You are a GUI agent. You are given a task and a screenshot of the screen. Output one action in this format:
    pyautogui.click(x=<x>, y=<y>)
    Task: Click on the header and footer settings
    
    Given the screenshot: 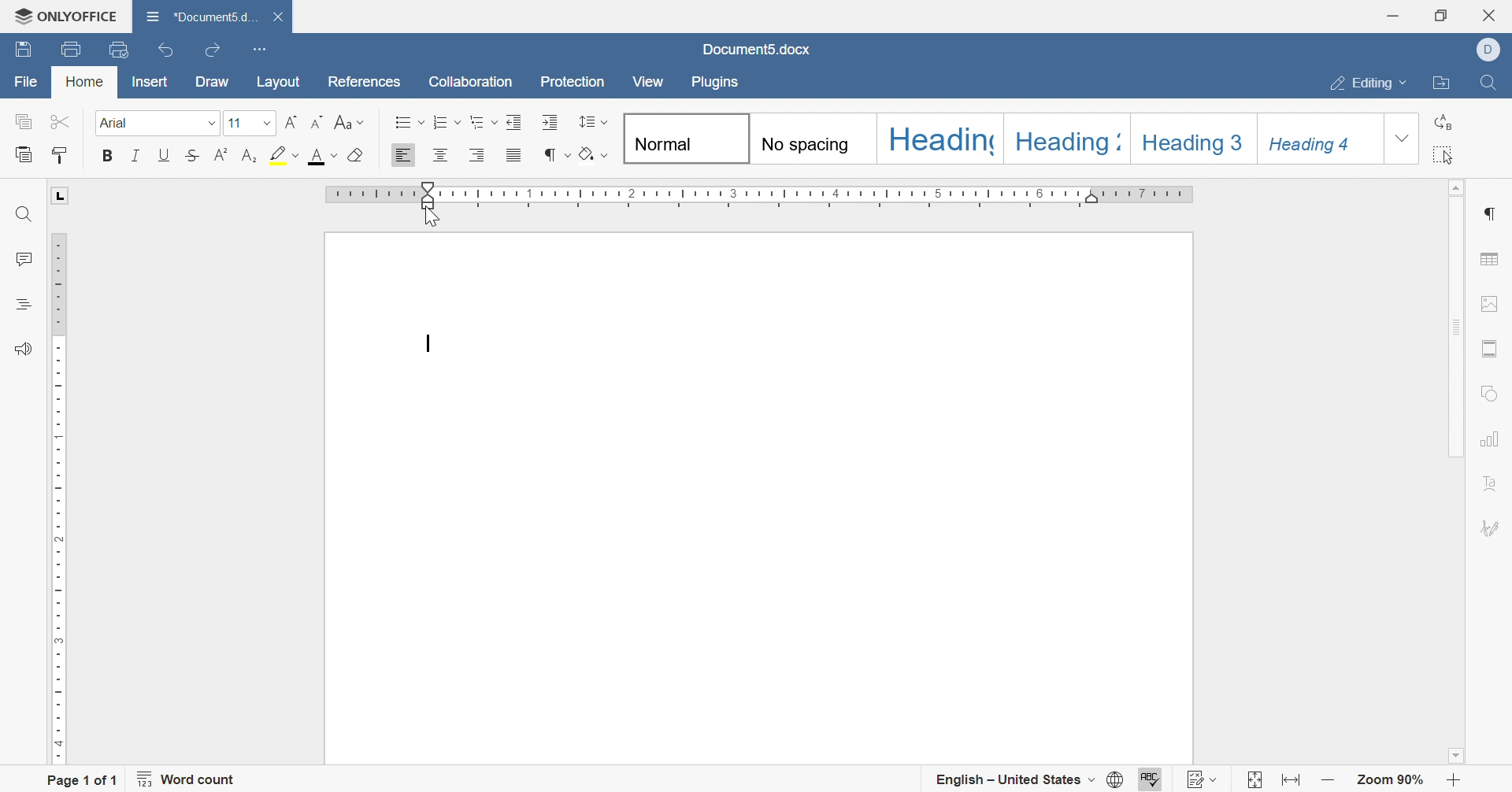 What is the action you would take?
    pyautogui.click(x=1492, y=347)
    